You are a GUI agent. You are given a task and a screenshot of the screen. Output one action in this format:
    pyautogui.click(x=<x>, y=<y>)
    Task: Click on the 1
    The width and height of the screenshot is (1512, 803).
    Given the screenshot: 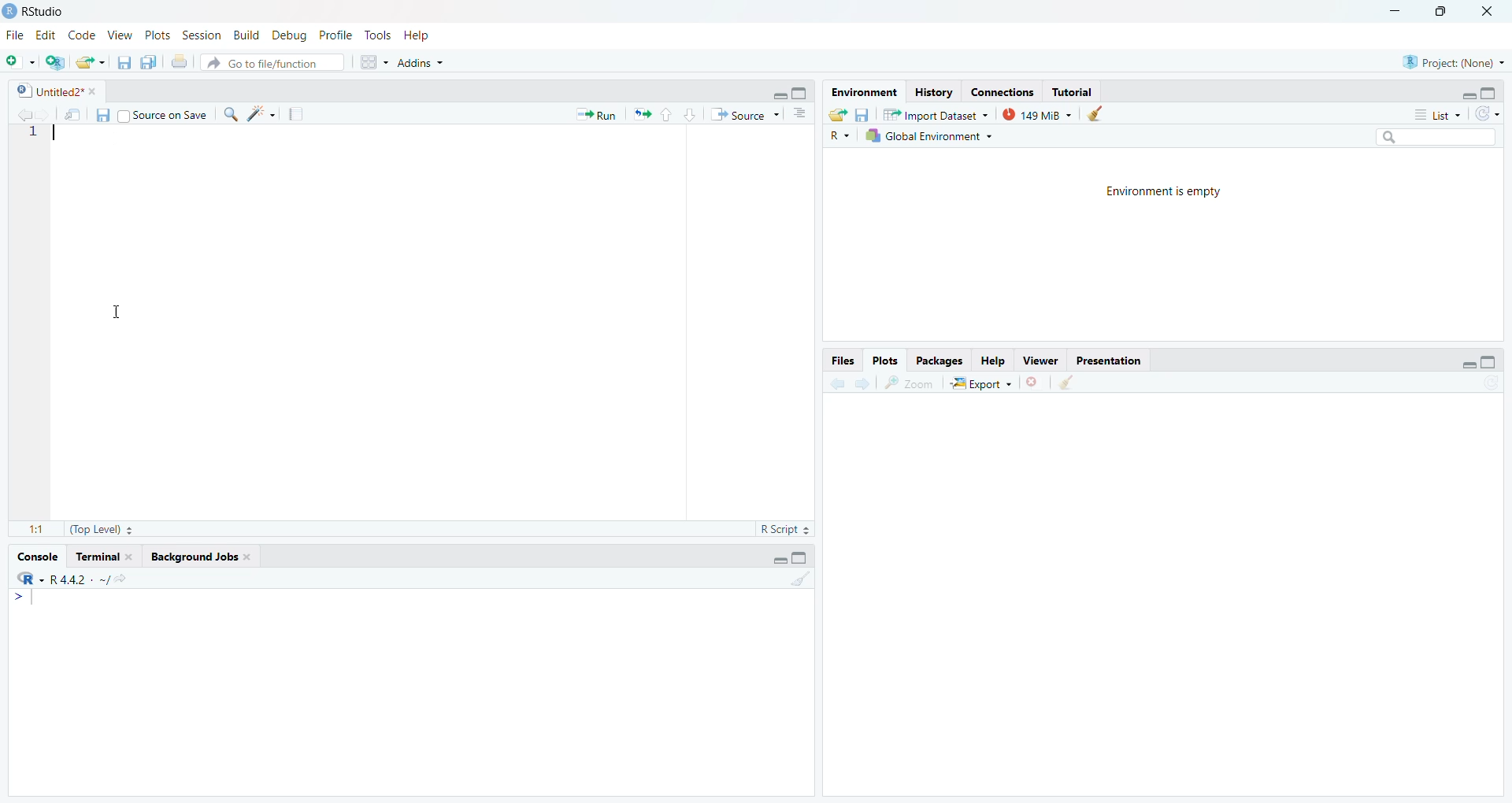 What is the action you would take?
    pyautogui.click(x=37, y=136)
    